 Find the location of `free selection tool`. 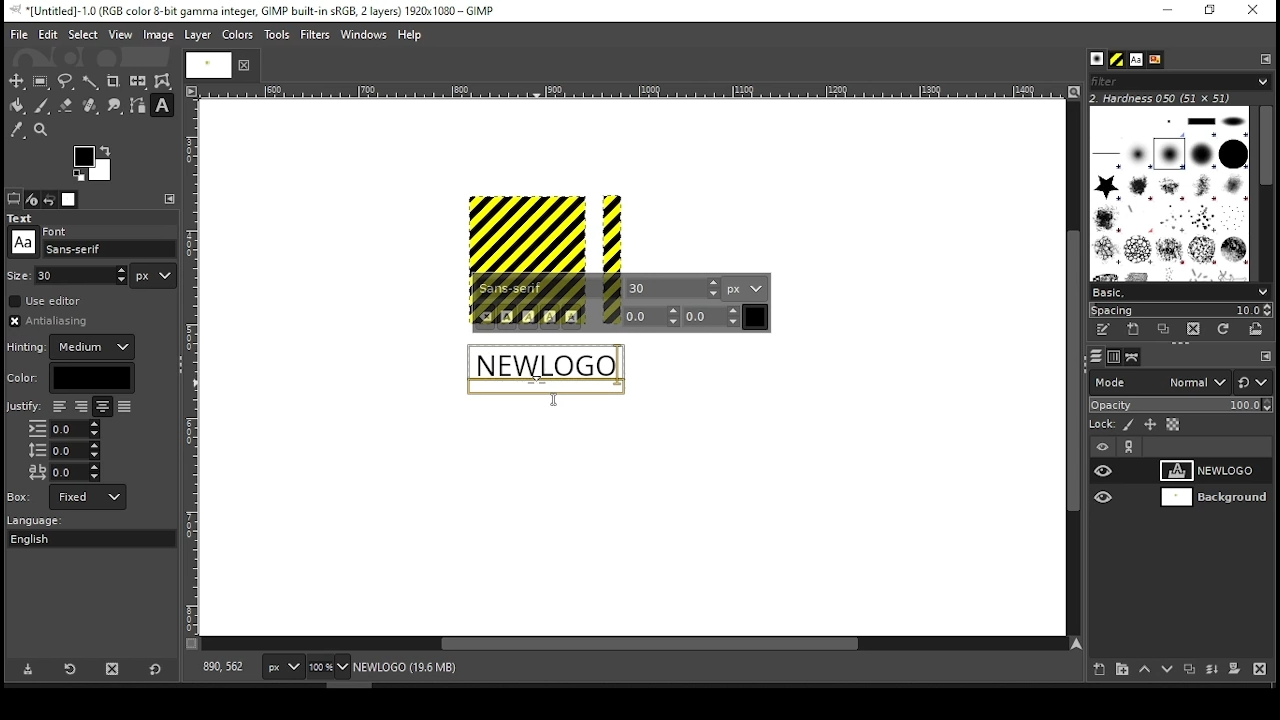

free selection tool is located at coordinates (68, 82).